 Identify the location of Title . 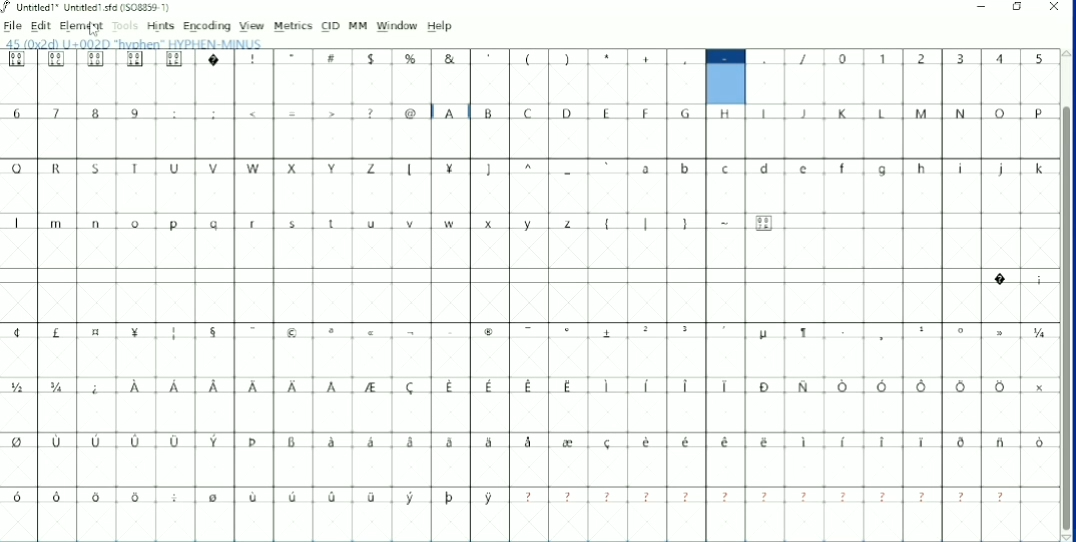
(89, 8).